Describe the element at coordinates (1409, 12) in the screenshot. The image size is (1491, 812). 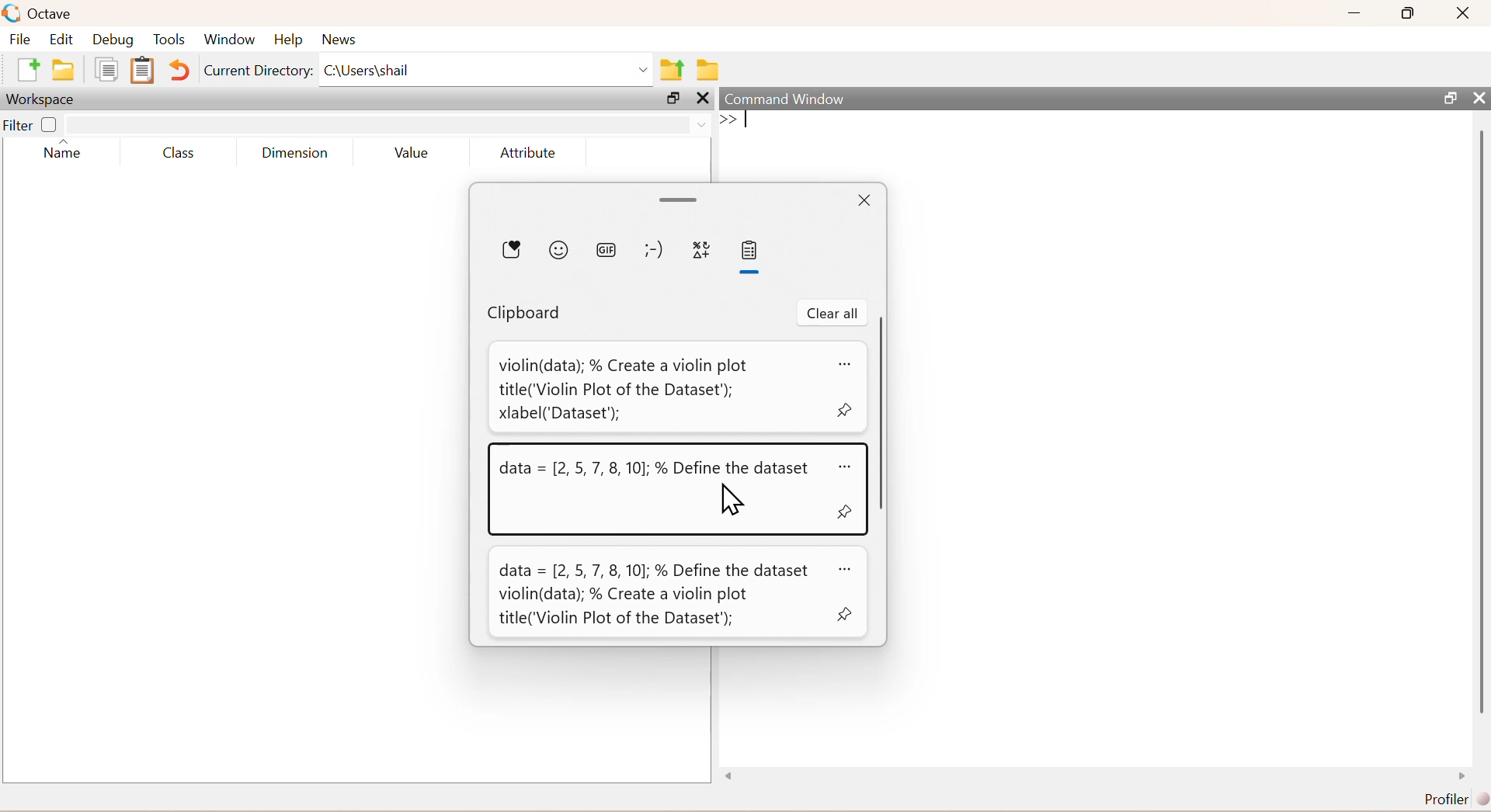
I see `maximise` at that location.